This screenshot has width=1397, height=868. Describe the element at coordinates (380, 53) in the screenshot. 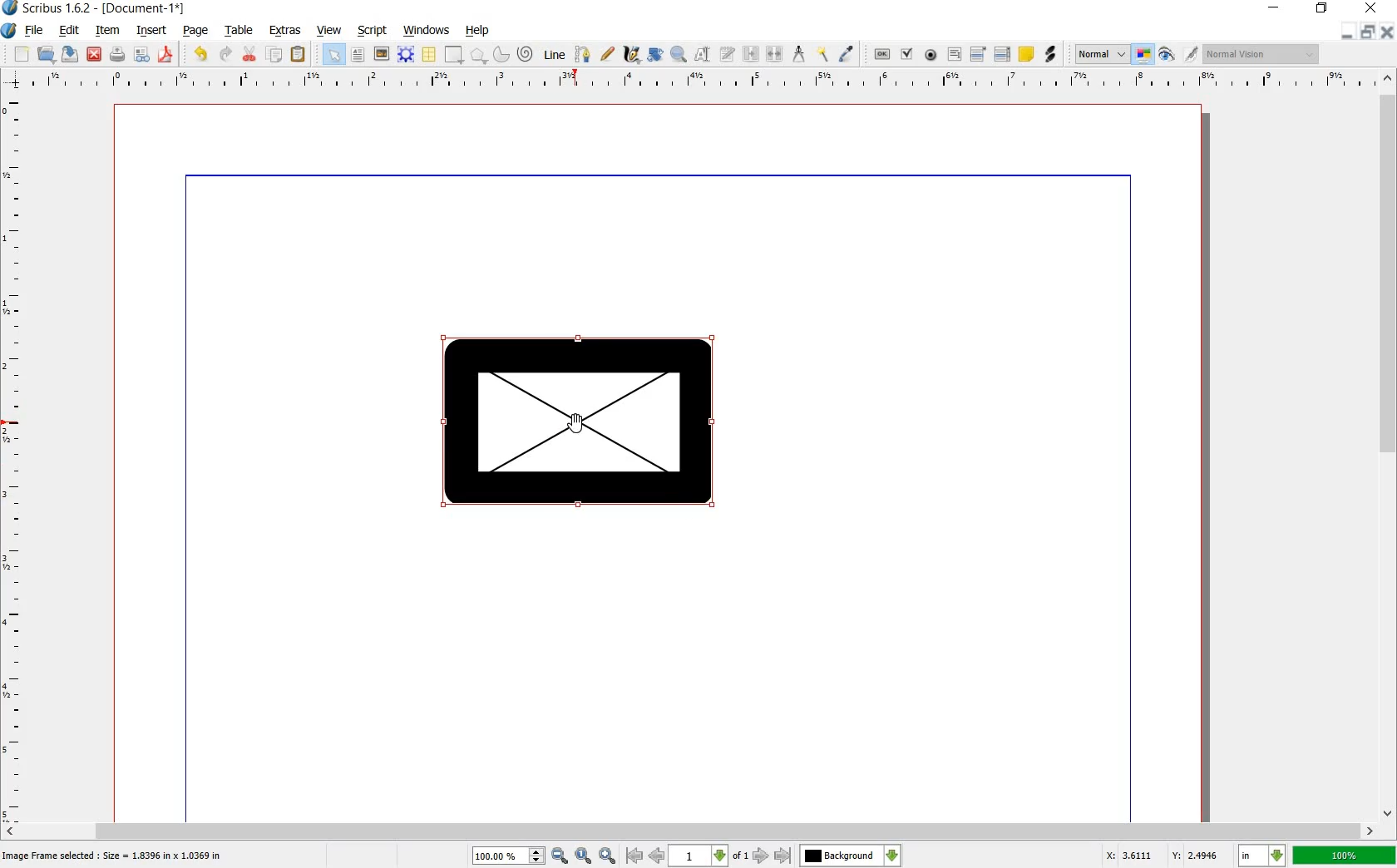

I see `image` at that location.